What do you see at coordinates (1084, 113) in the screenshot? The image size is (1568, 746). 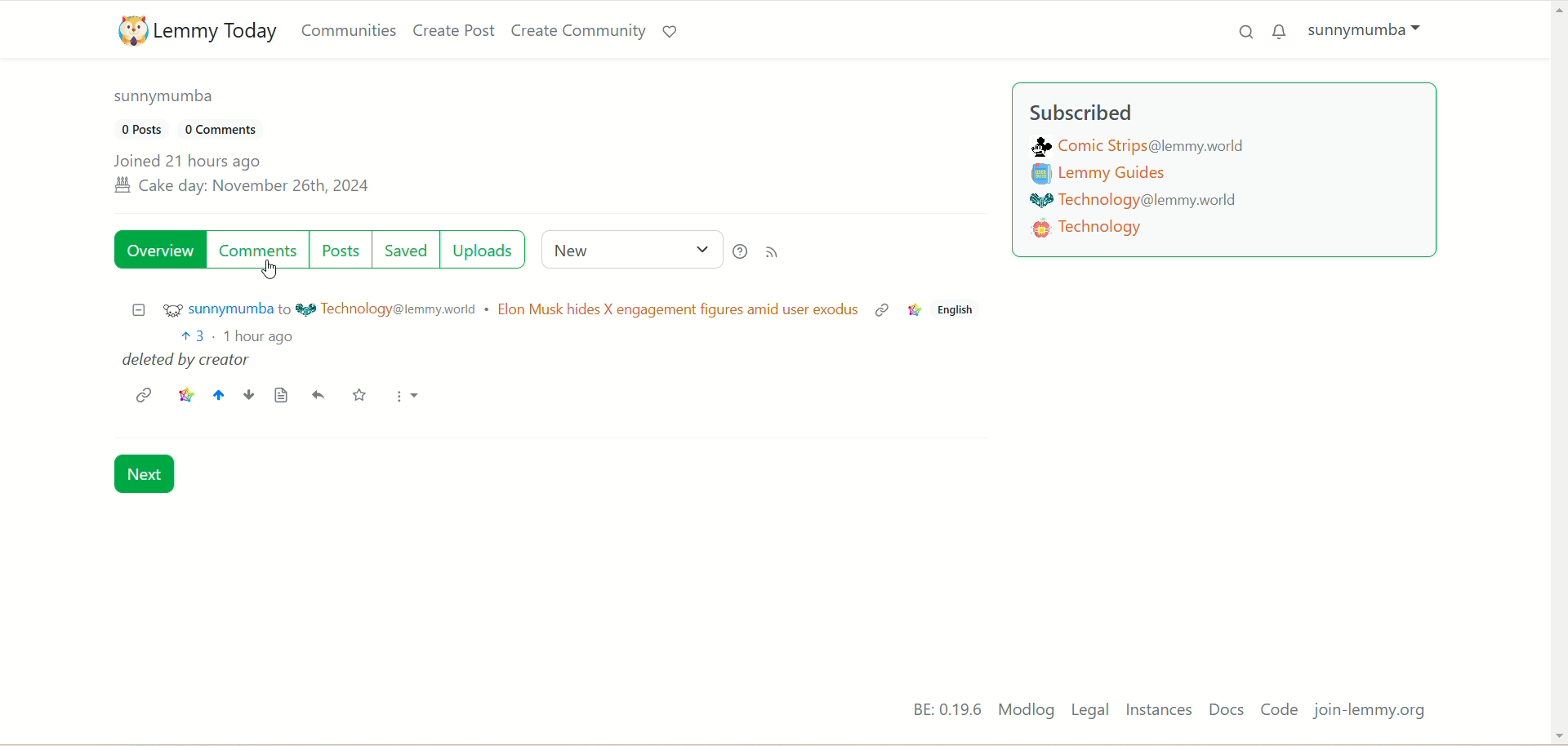 I see `subscribed` at bounding box center [1084, 113].